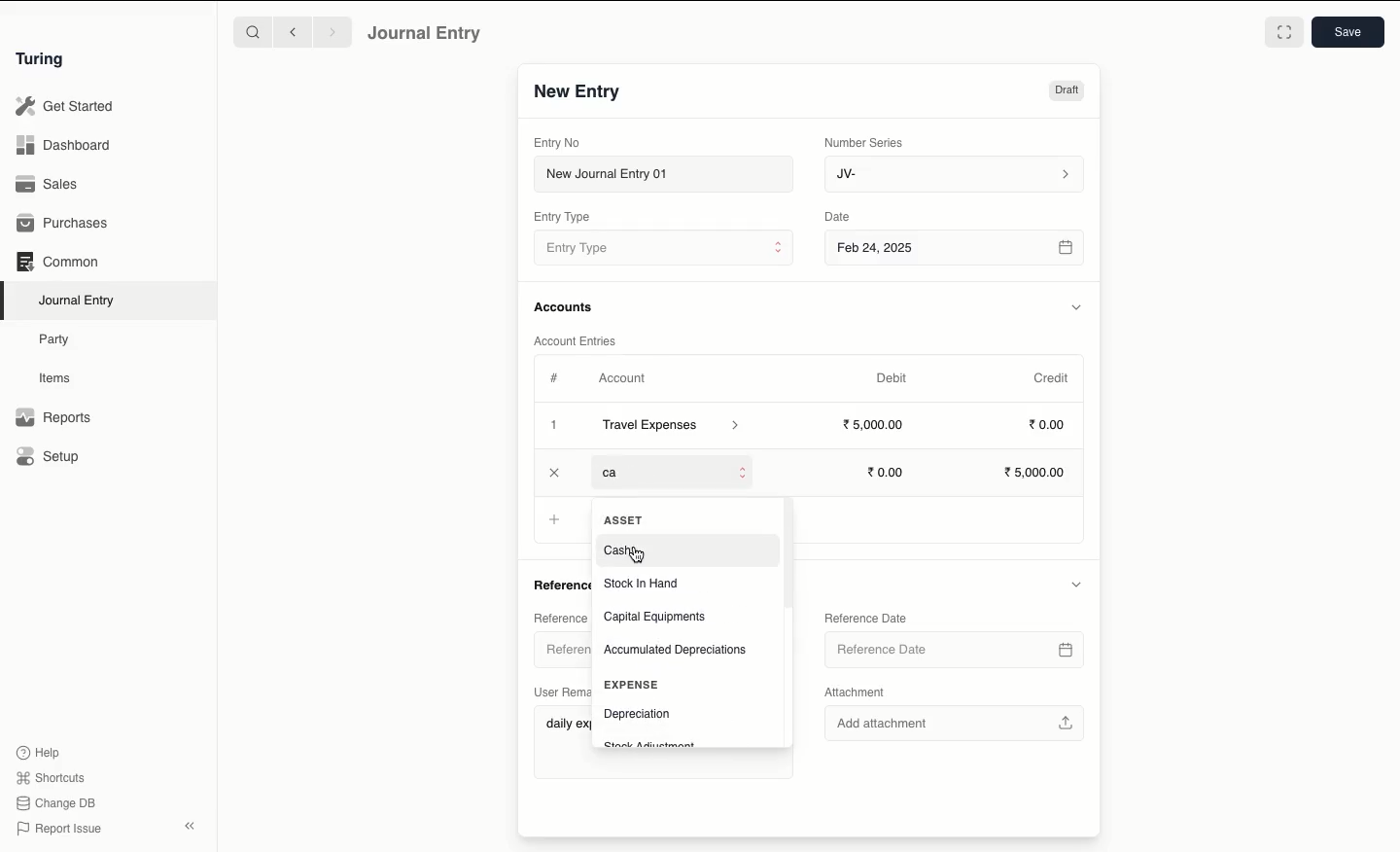 The image size is (1400, 852). Describe the element at coordinates (640, 557) in the screenshot. I see `cursor` at that location.